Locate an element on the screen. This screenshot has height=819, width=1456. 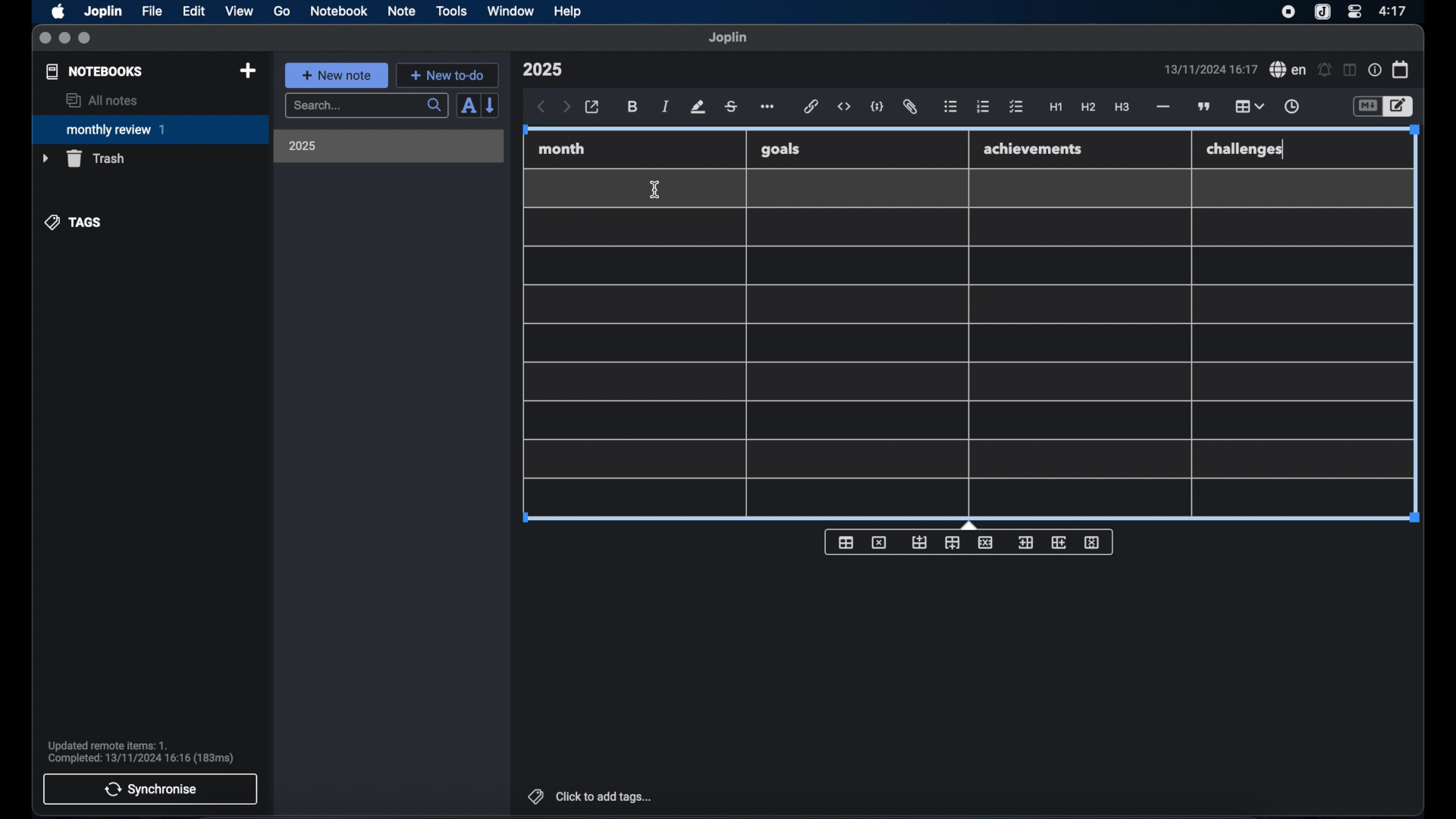
notebook is located at coordinates (339, 11).